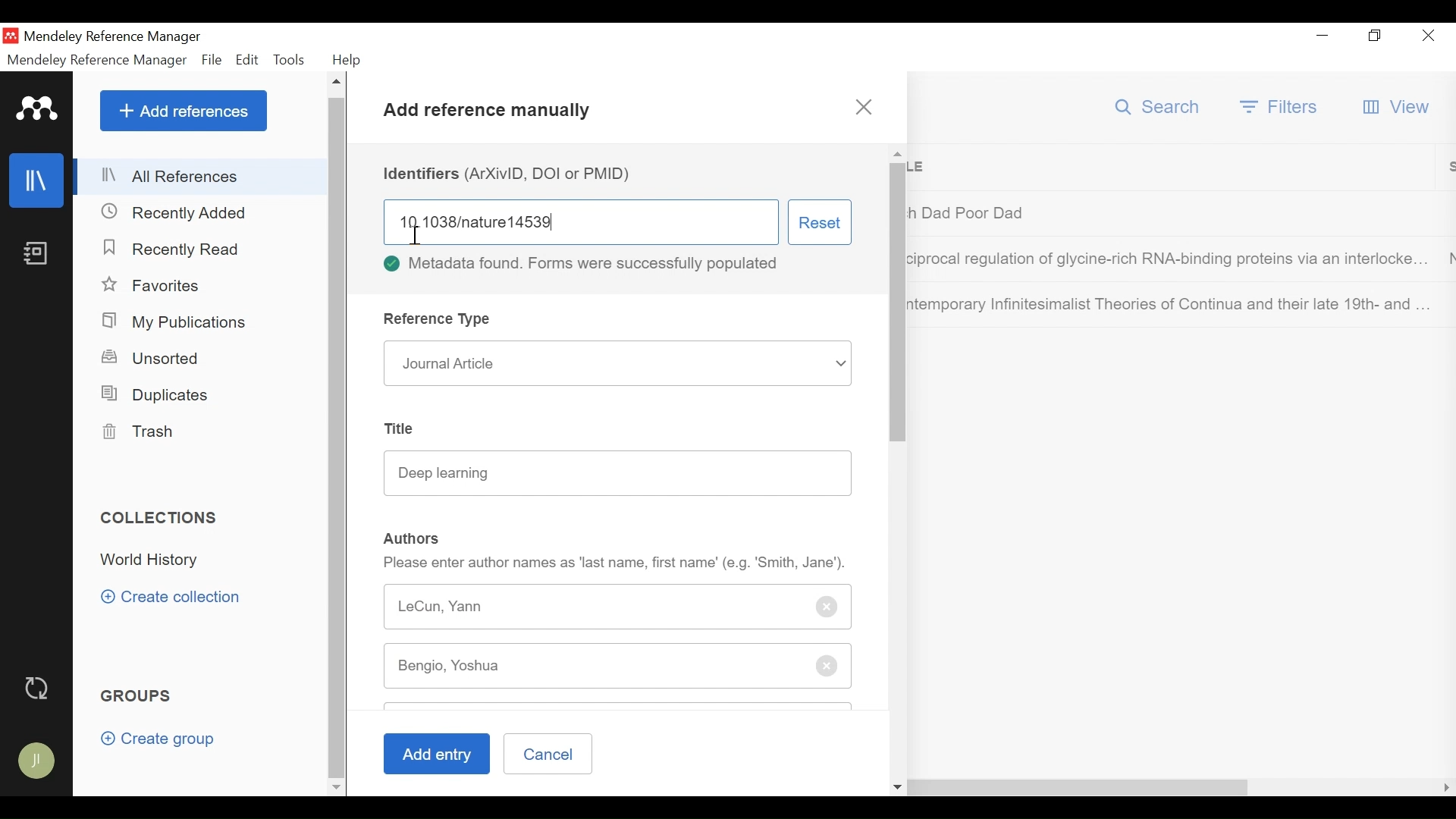  I want to click on Avatar, so click(38, 762).